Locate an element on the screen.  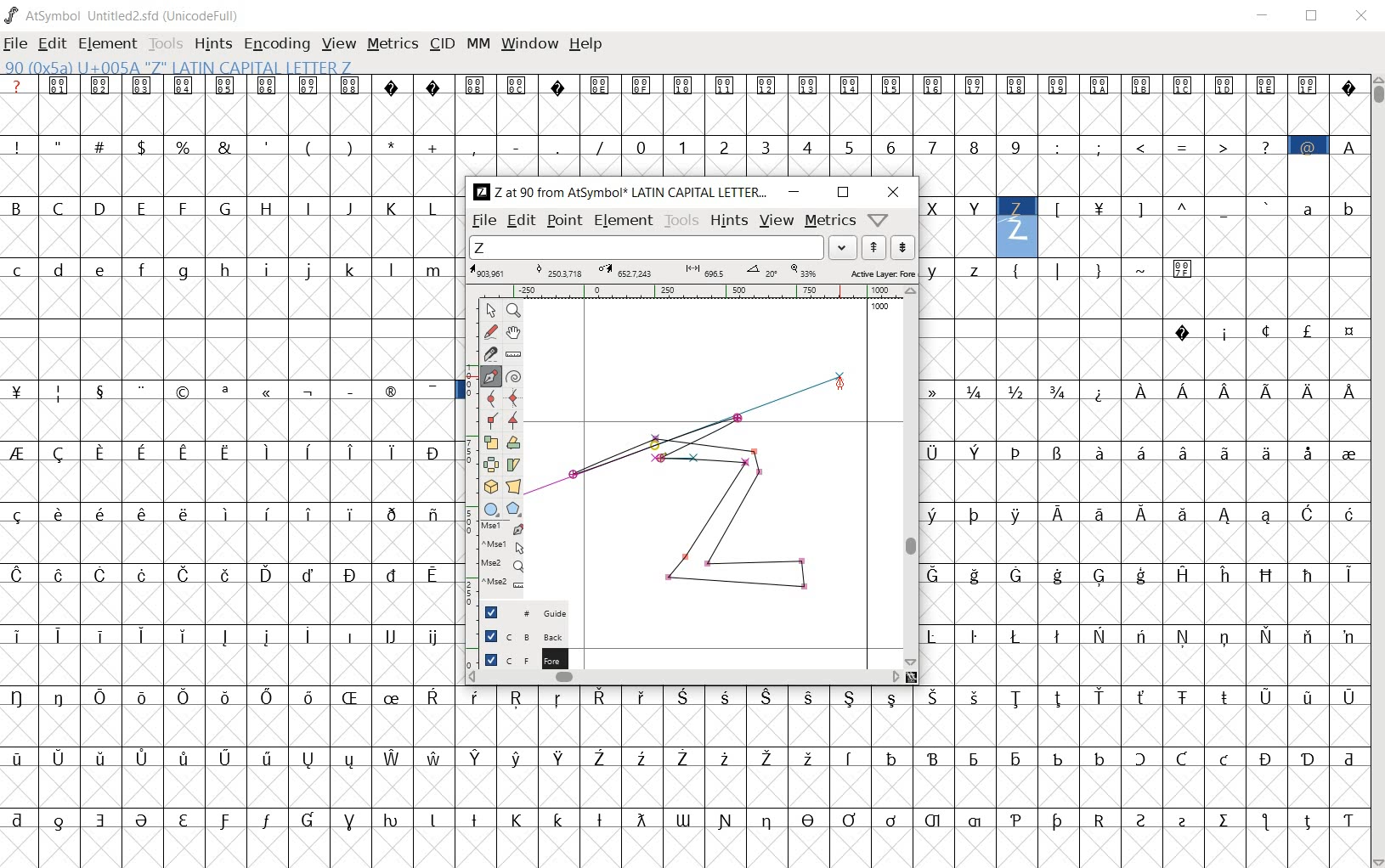
file is located at coordinates (483, 222).